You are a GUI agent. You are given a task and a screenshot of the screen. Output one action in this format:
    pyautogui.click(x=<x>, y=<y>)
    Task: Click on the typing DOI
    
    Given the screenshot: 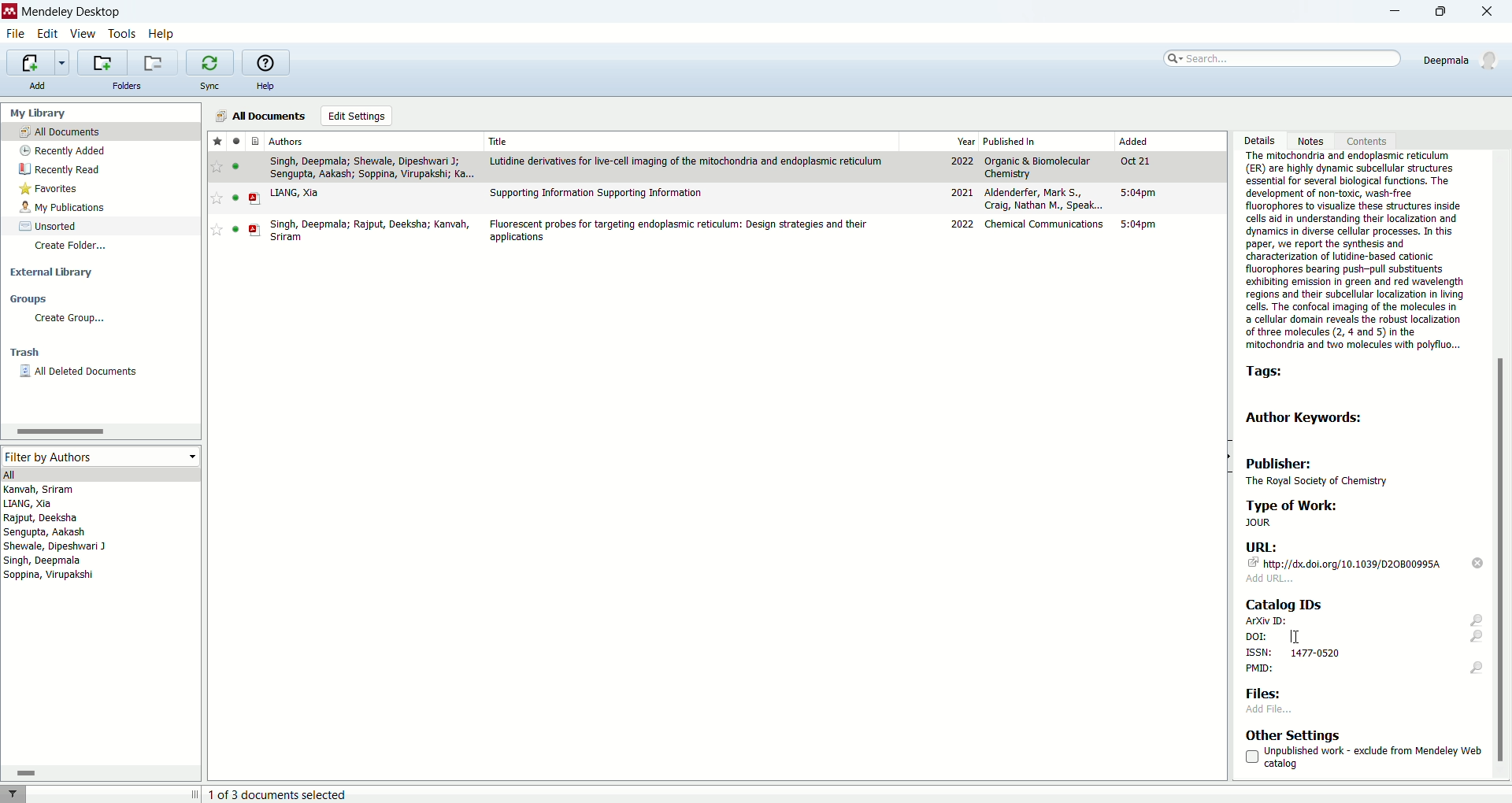 What is the action you would take?
    pyautogui.click(x=1295, y=636)
    